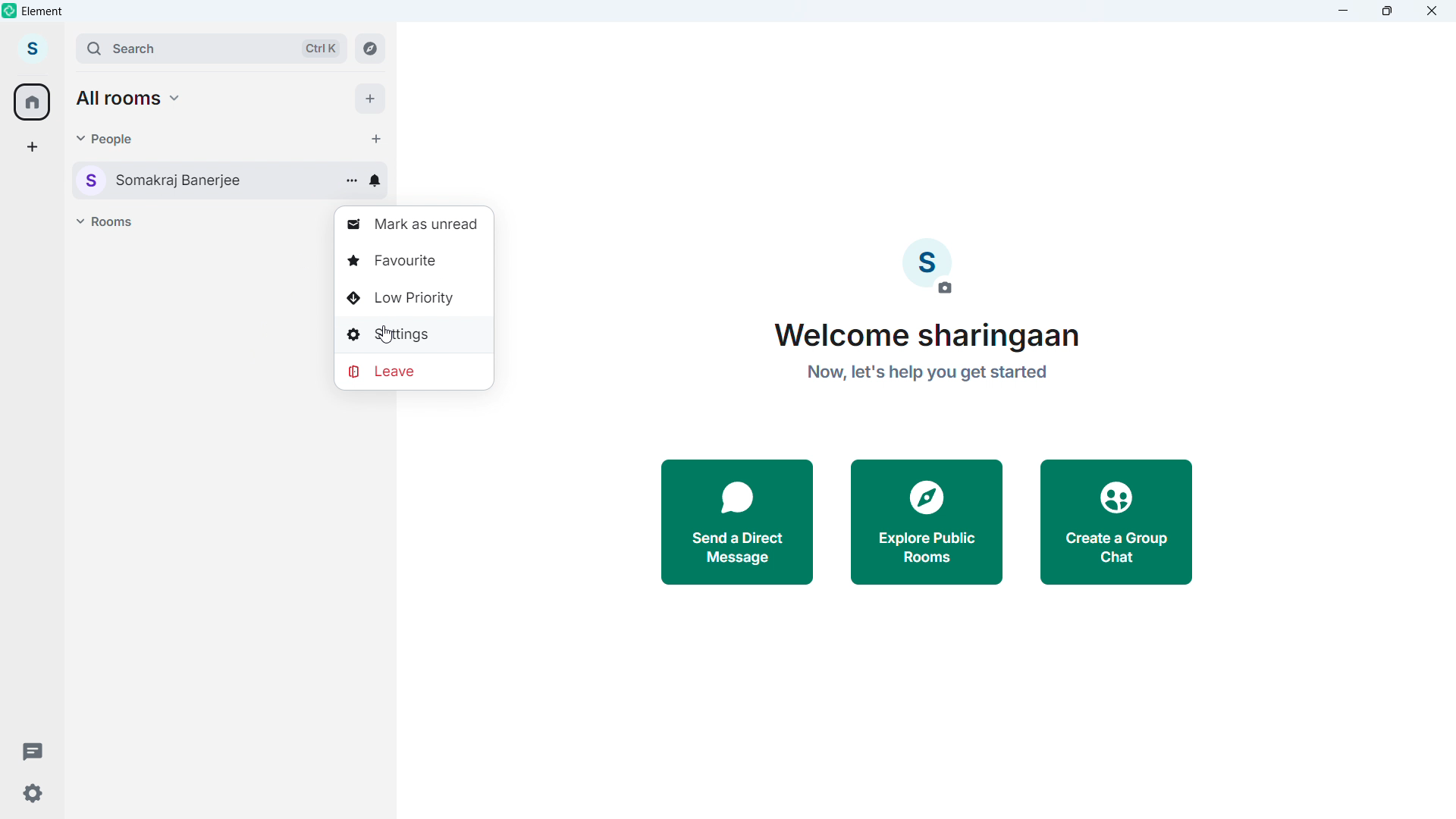 Image resolution: width=1456 pixels, height=819 pixels. What do you see at coordinates (1432, 12) in the screenshot?
I see `Close ` at bounding box center [1432, 12].